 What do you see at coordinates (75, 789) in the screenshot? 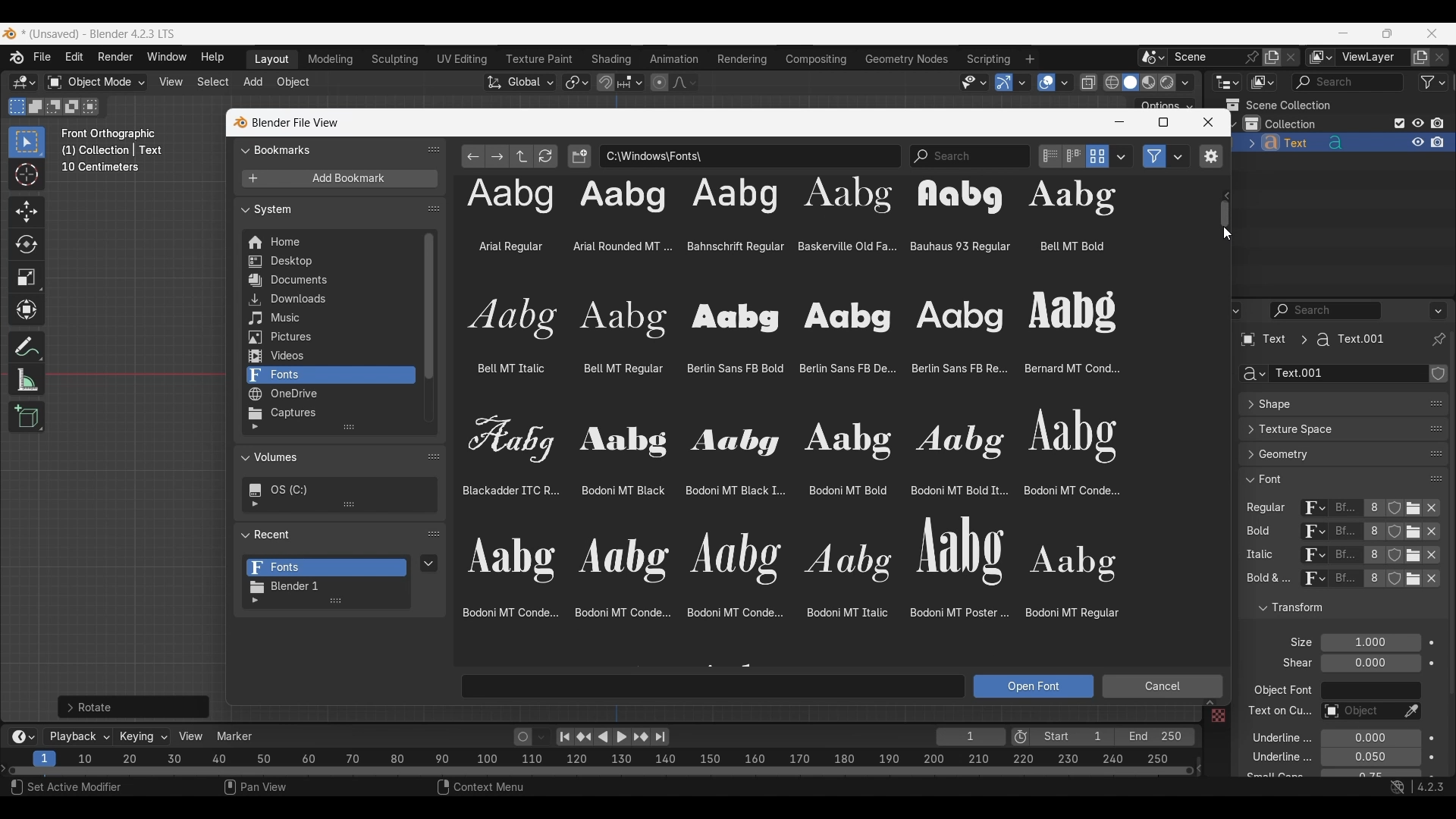
I see `Select` at bounding box center [75, 789].